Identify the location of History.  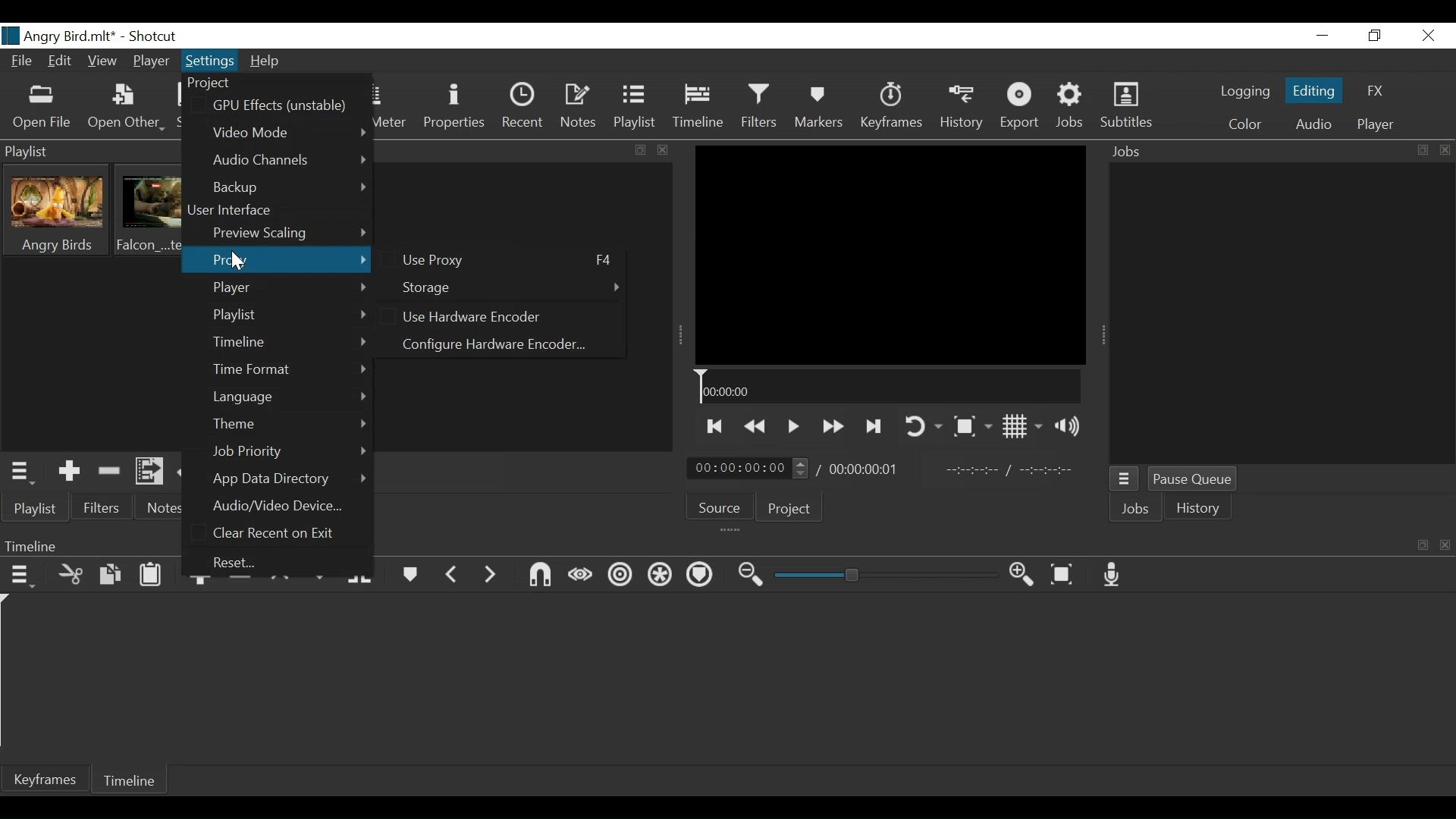
(959, 108).